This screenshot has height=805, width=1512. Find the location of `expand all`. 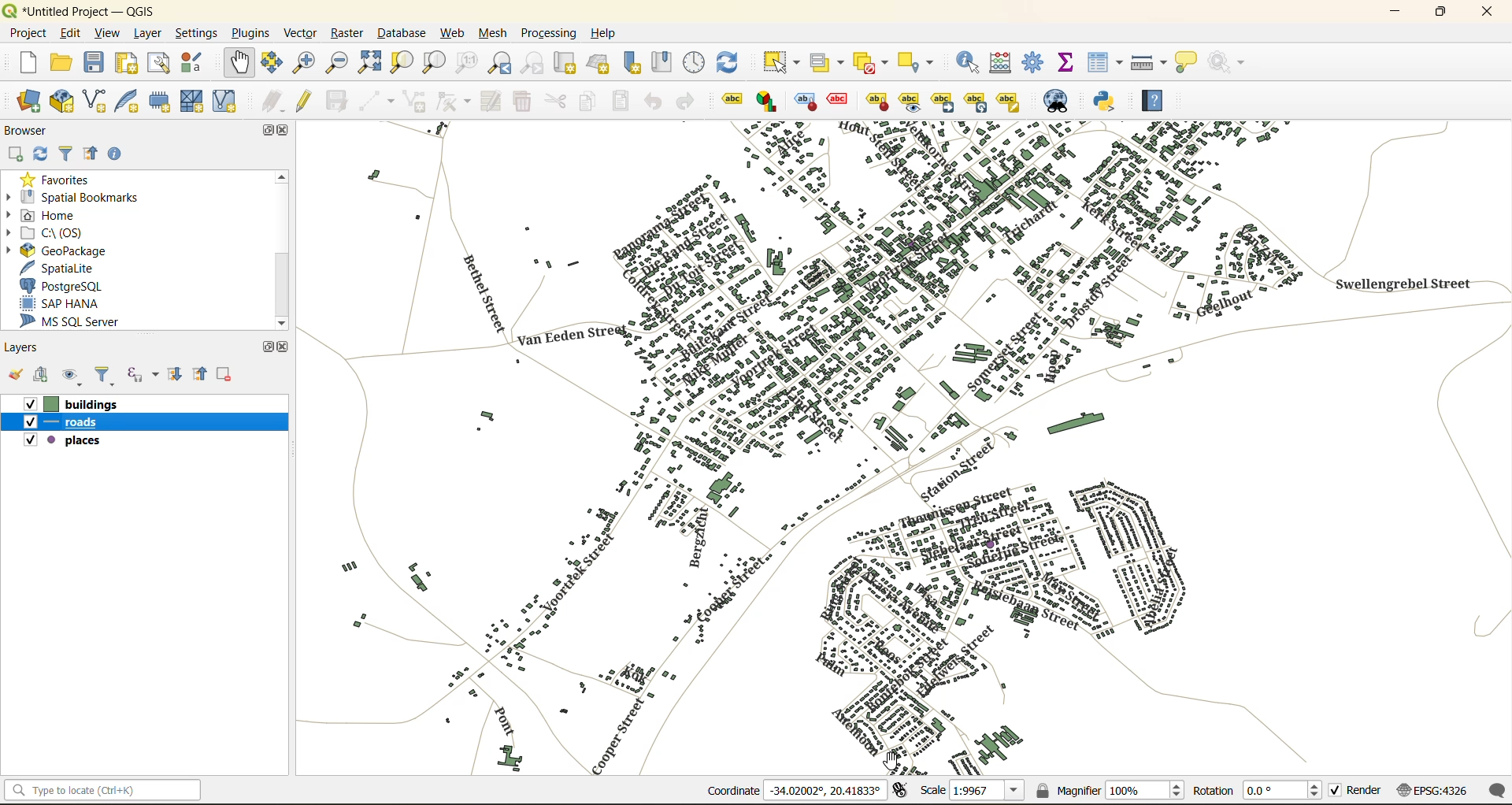

expand all is located at coordinates (171, 377).